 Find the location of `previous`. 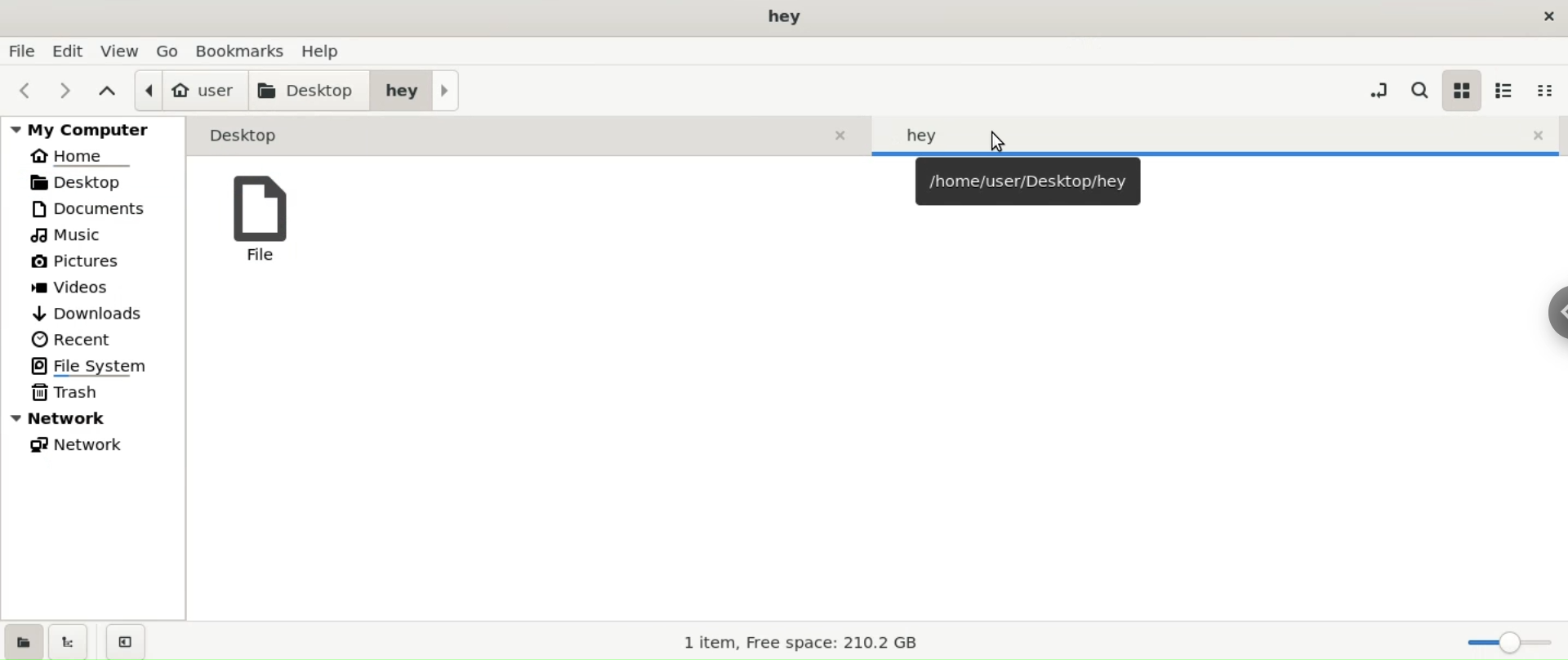

previous is located at coordinates (29, 89).